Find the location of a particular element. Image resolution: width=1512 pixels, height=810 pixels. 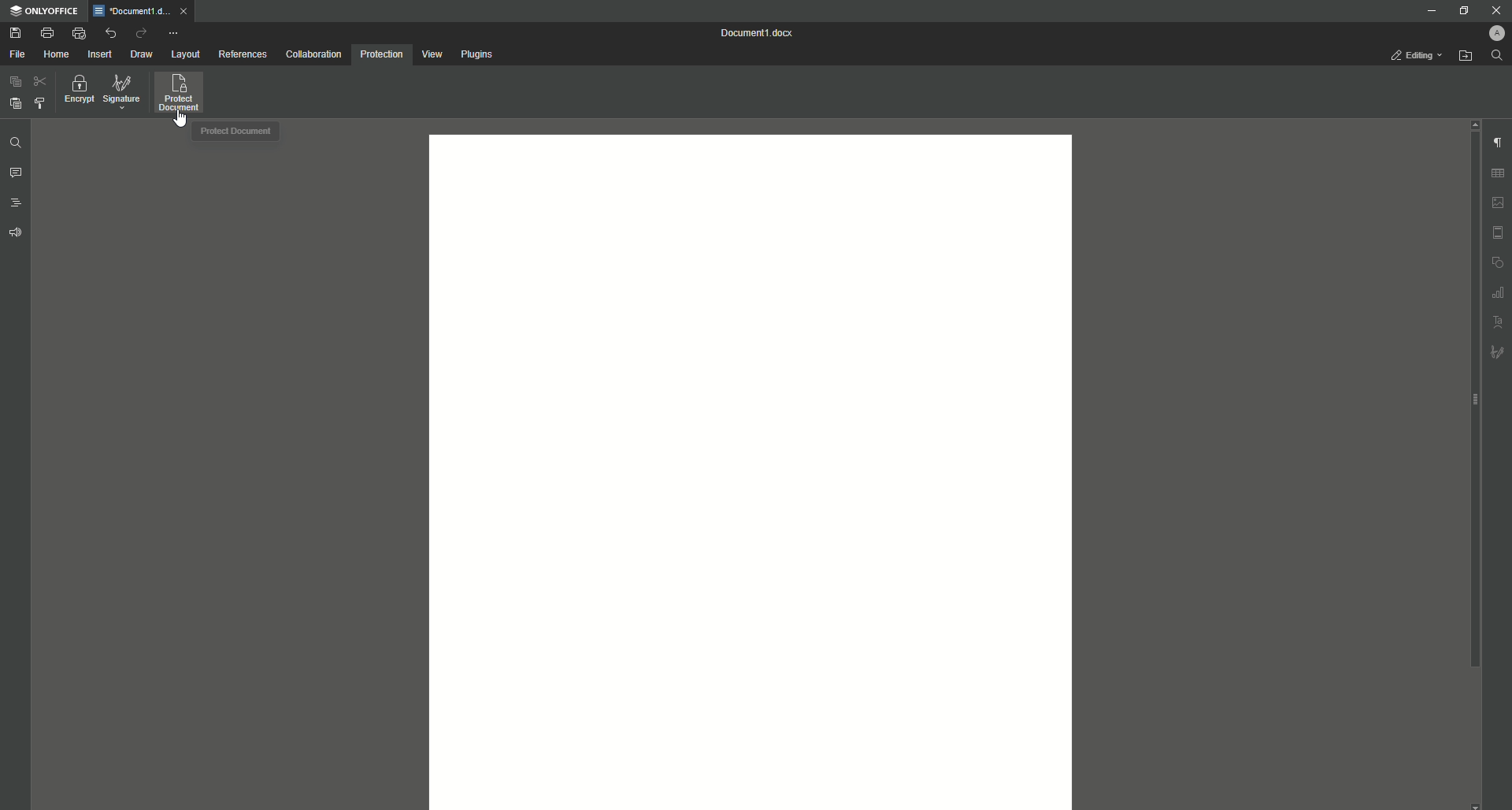

Profile is located at coordinates (1492, 33).